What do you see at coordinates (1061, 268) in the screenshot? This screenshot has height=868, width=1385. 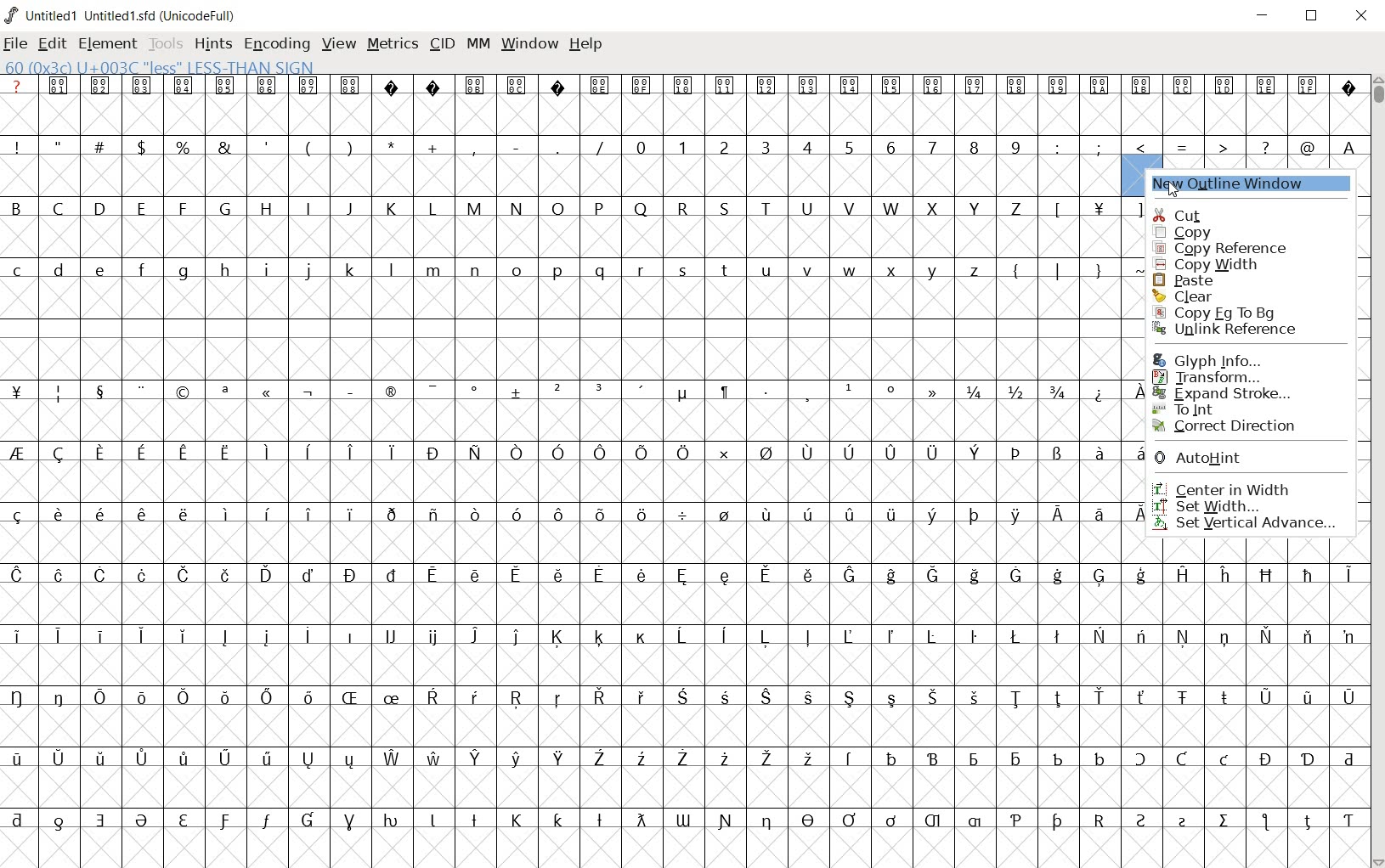 I see `symbols` at bounding box center [1061, 268].